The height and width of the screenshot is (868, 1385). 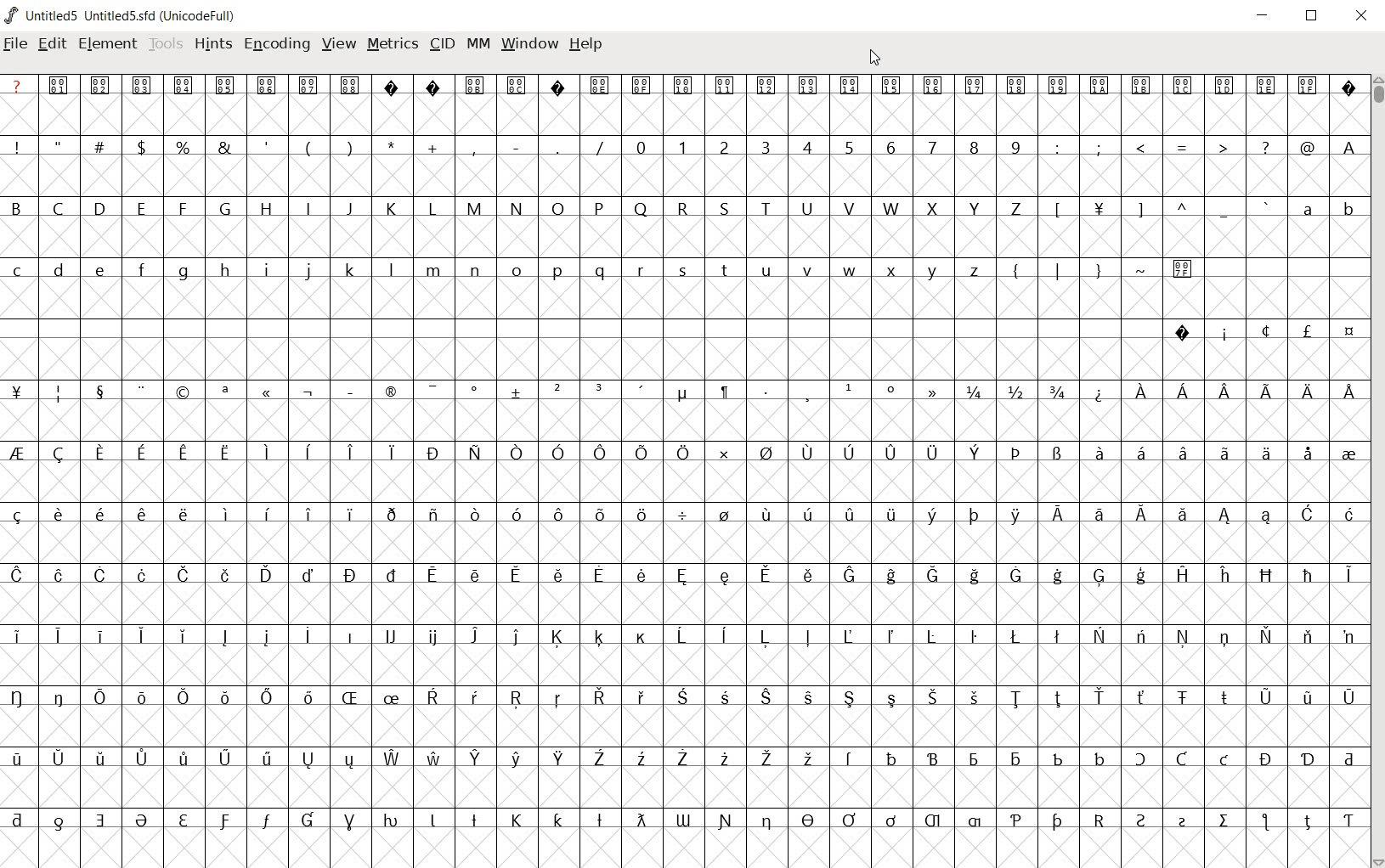 I want to click on t, so click(x=725, y=270).